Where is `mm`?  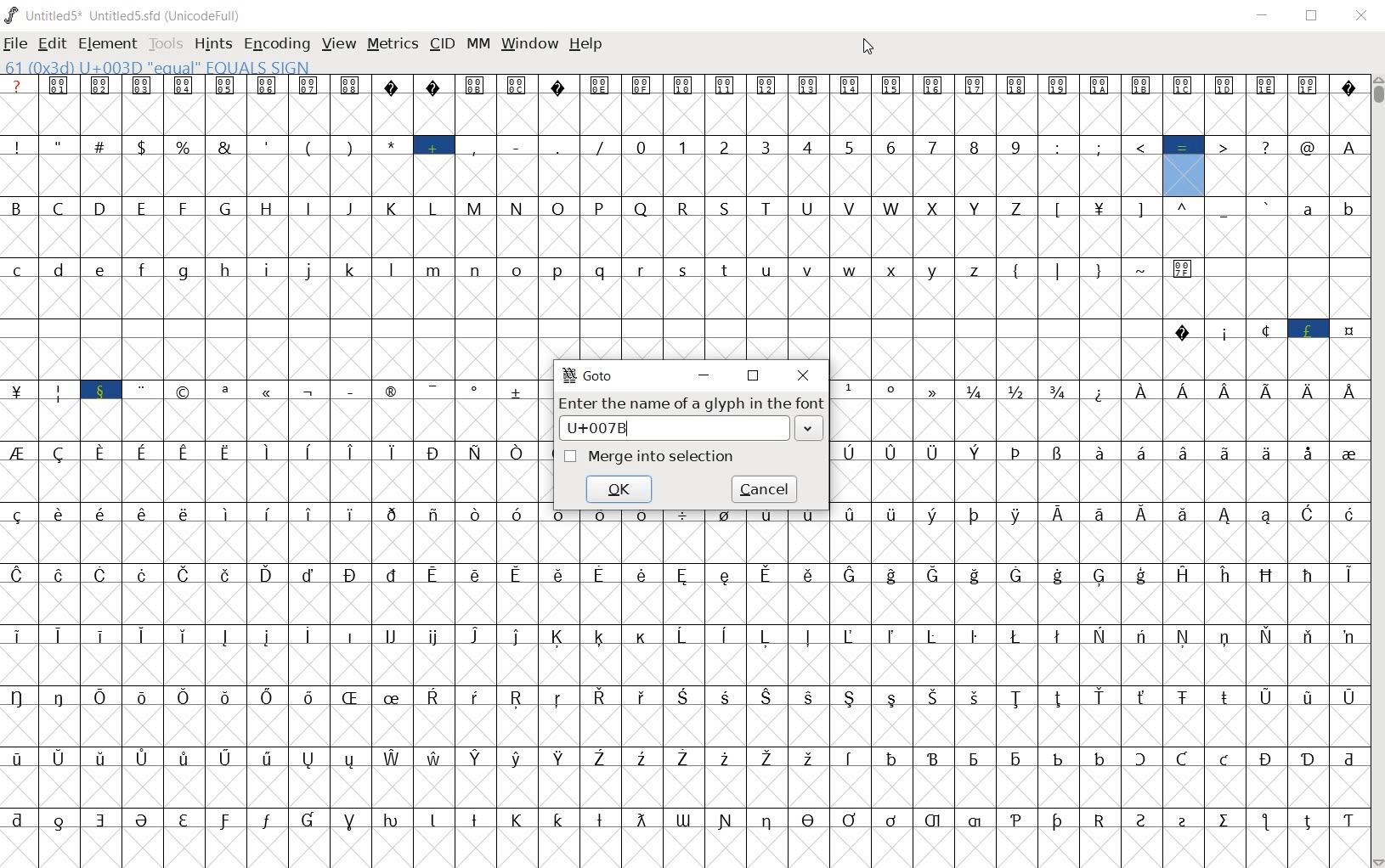 mm is located at coordinates (478, 45).